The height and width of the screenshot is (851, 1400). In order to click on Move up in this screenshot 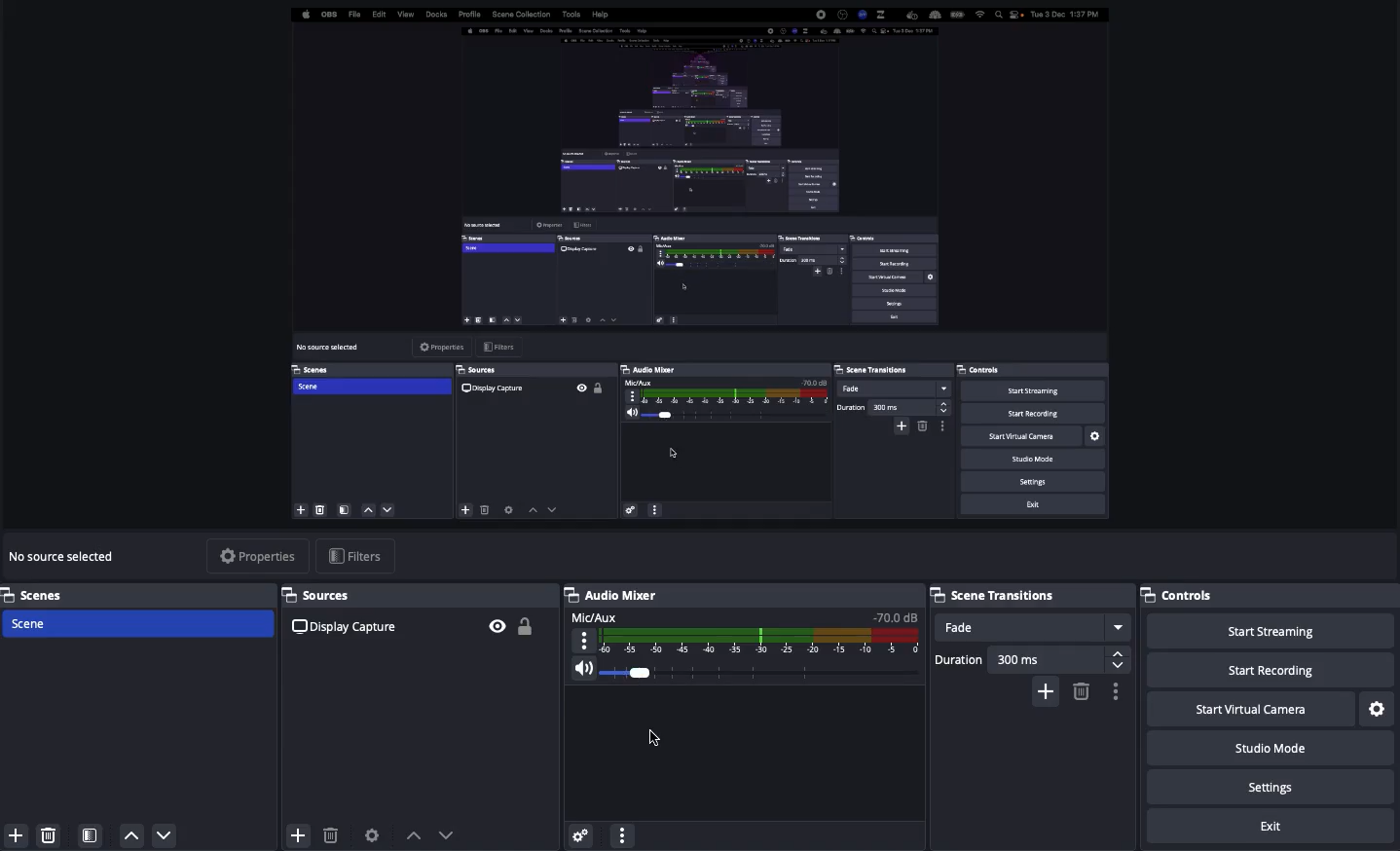, I will do `click(414, 834)`.